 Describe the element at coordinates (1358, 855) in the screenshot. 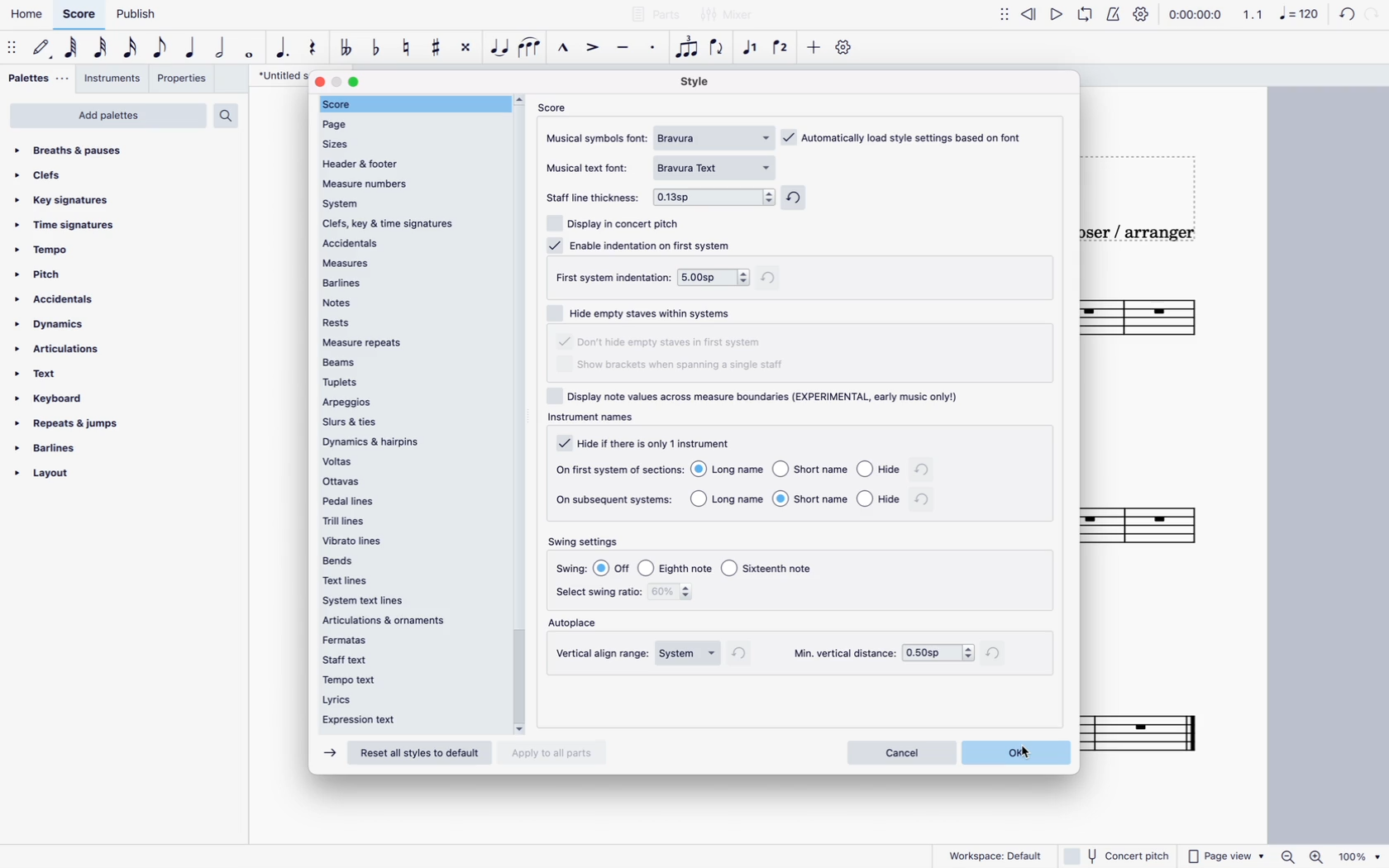

I see `100%` at that location.